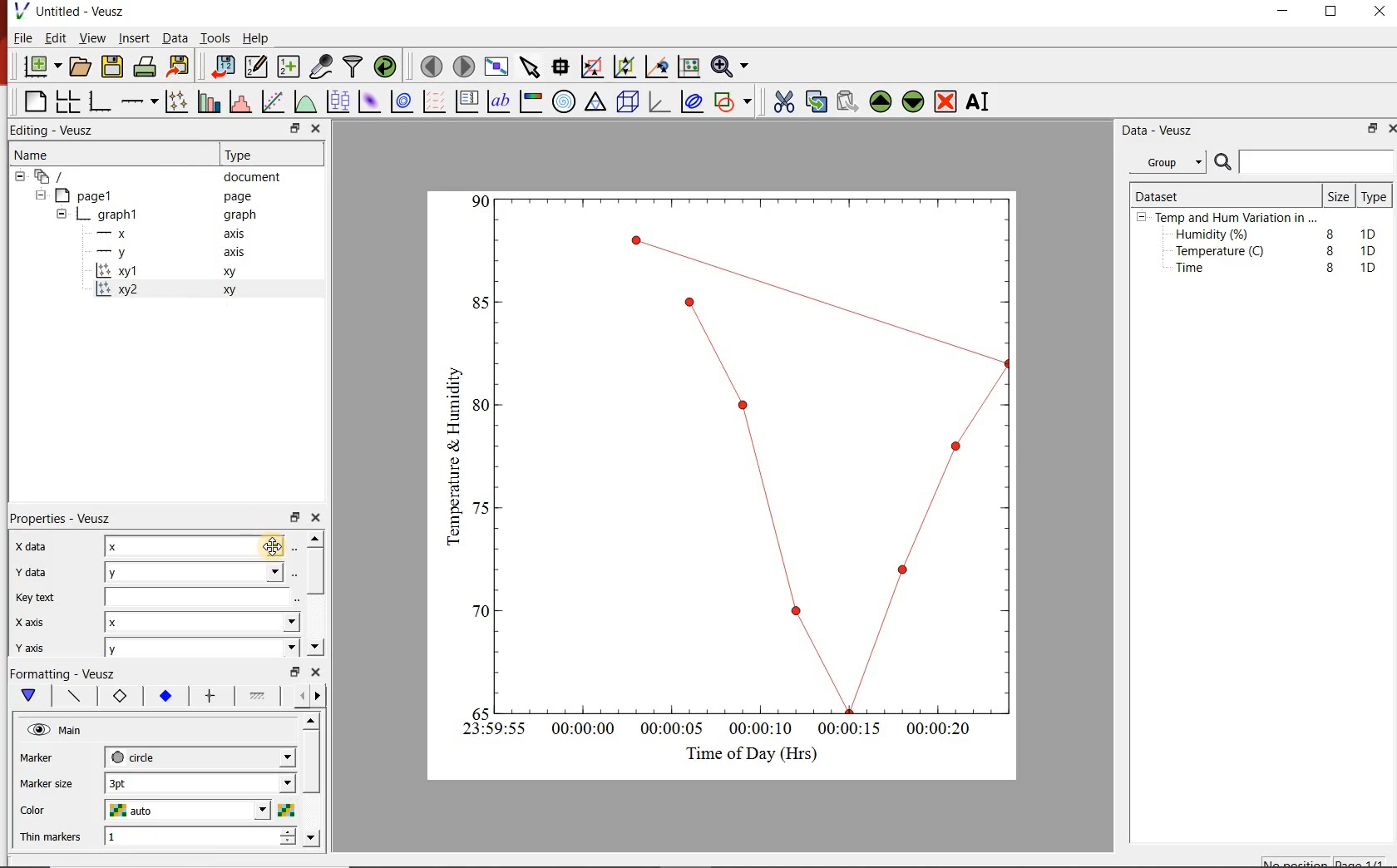 Image resolution: width=1397 pixels, height=868 pixels. I want to click on Color dropdown, so click(237, 811).